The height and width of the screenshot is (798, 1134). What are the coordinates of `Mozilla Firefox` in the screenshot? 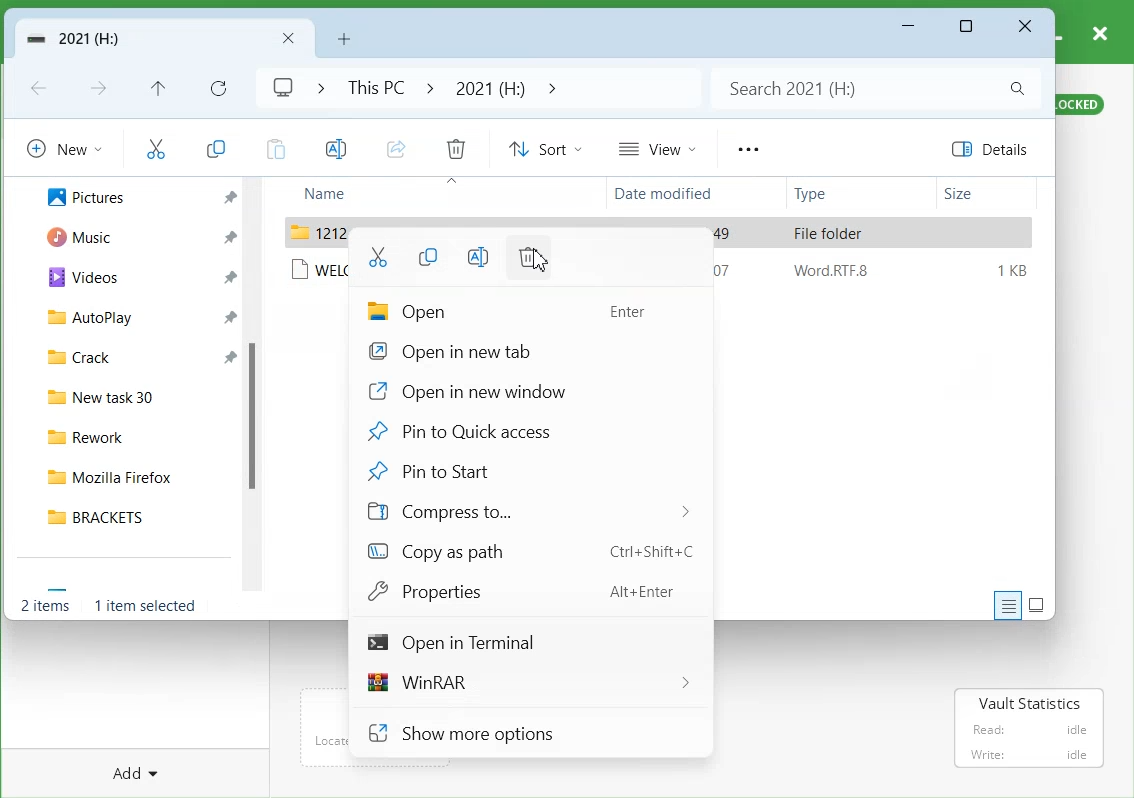 It's located at (135, 478).